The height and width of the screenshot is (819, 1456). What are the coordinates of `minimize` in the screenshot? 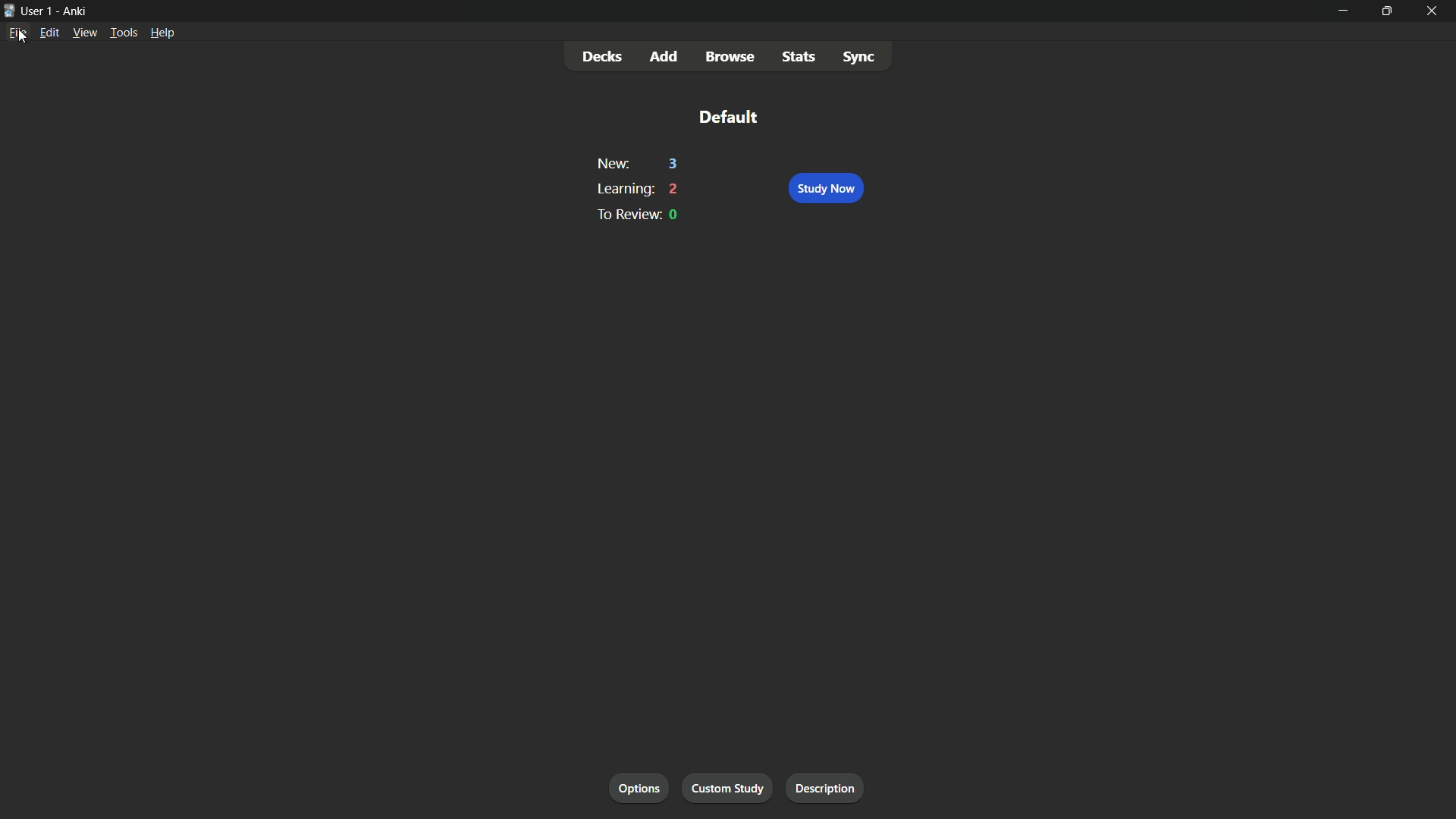 It's located at (1341, 10).